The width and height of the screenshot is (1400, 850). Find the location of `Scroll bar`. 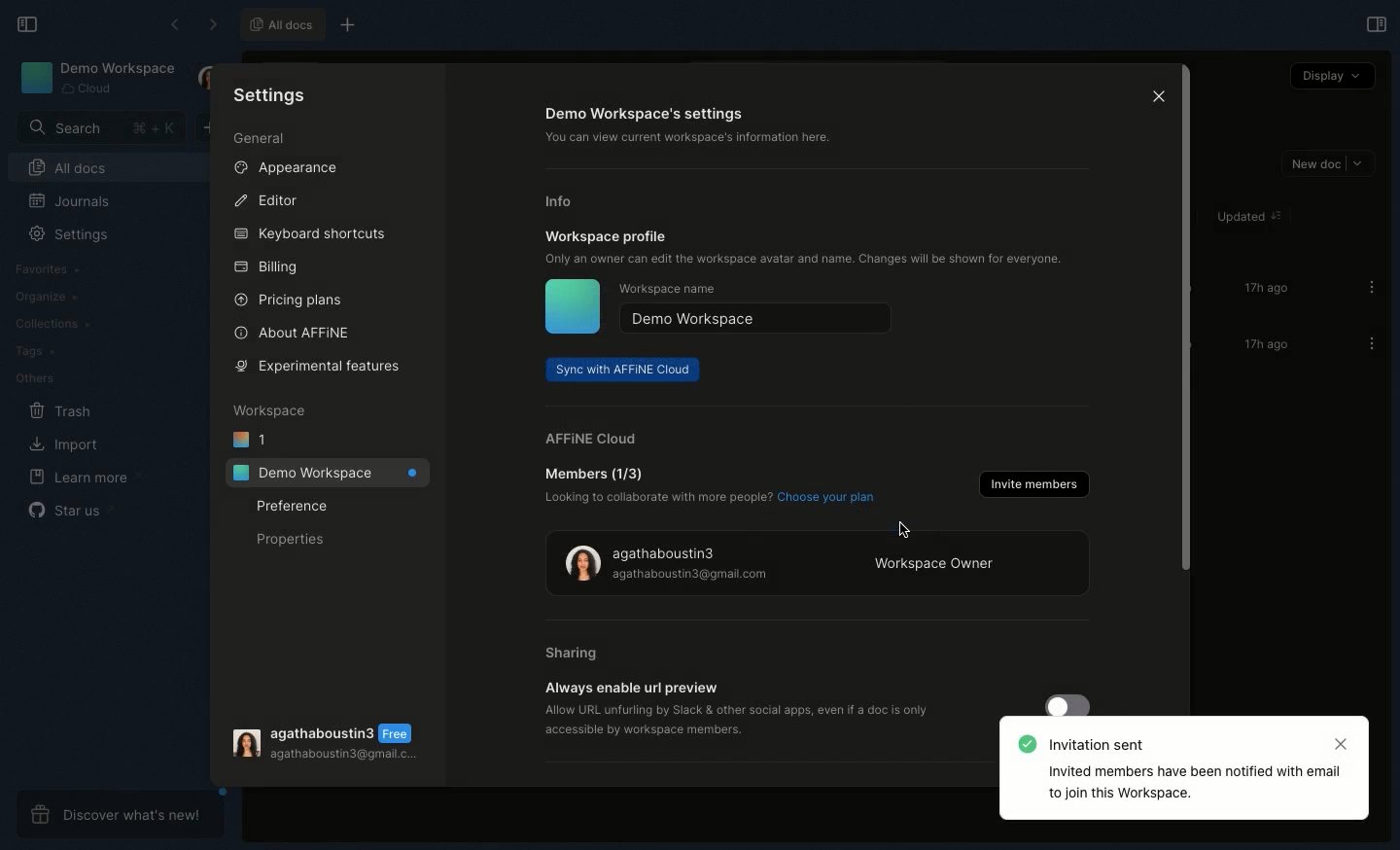

Scroll bar is located at coordinates (1188, 321).